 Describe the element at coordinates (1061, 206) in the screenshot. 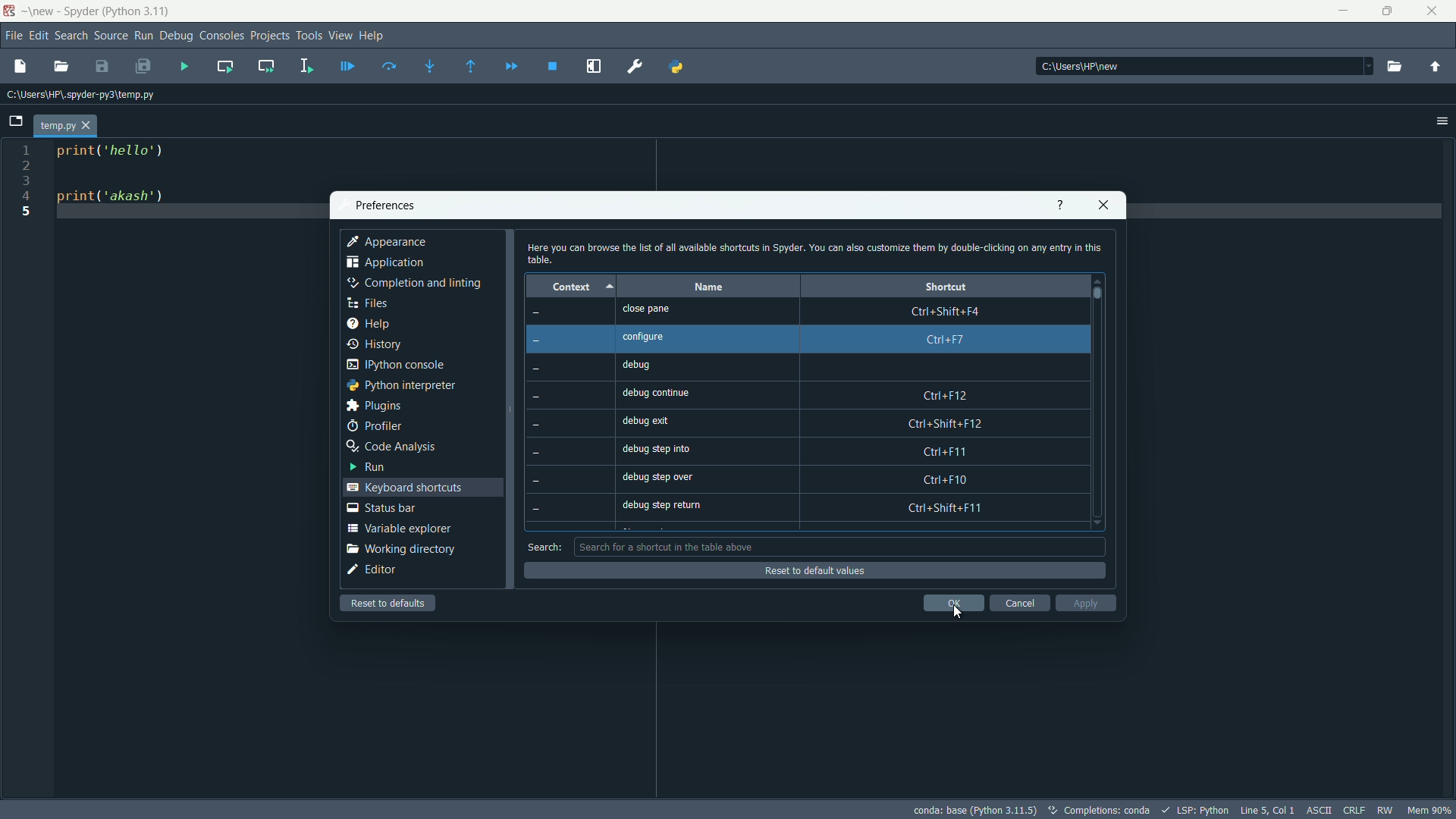

I see `get help` at that location.